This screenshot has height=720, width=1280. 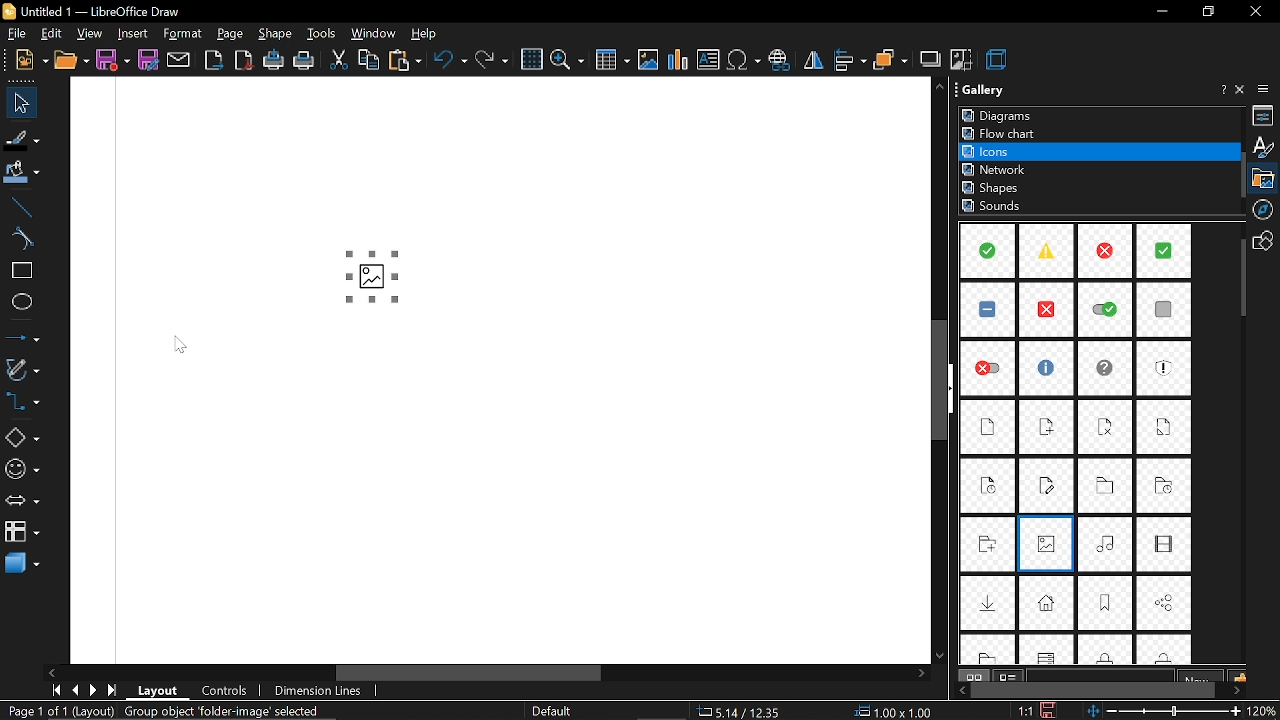 What do you see at coordinates (19, 173) in the screenshot?
I see `fill color` at bounding box center [19, 173].